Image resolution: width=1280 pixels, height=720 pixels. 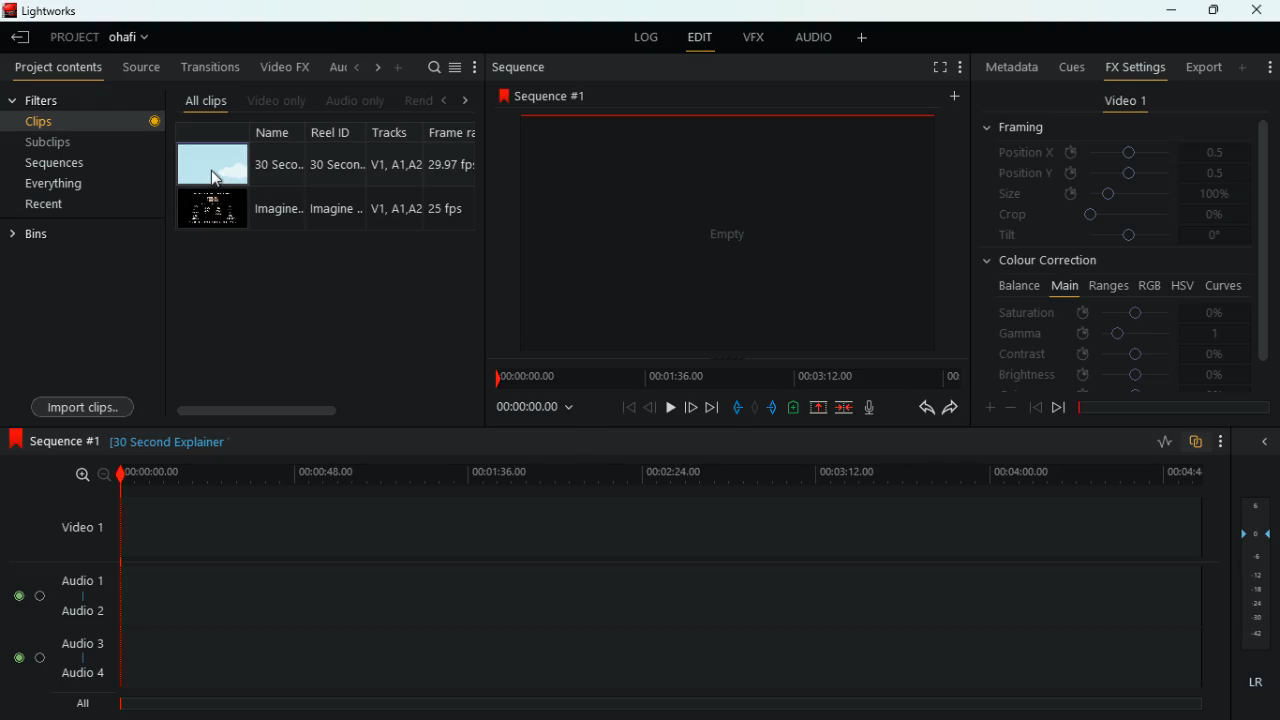 I want to click on more, so click(x=398, y=67).